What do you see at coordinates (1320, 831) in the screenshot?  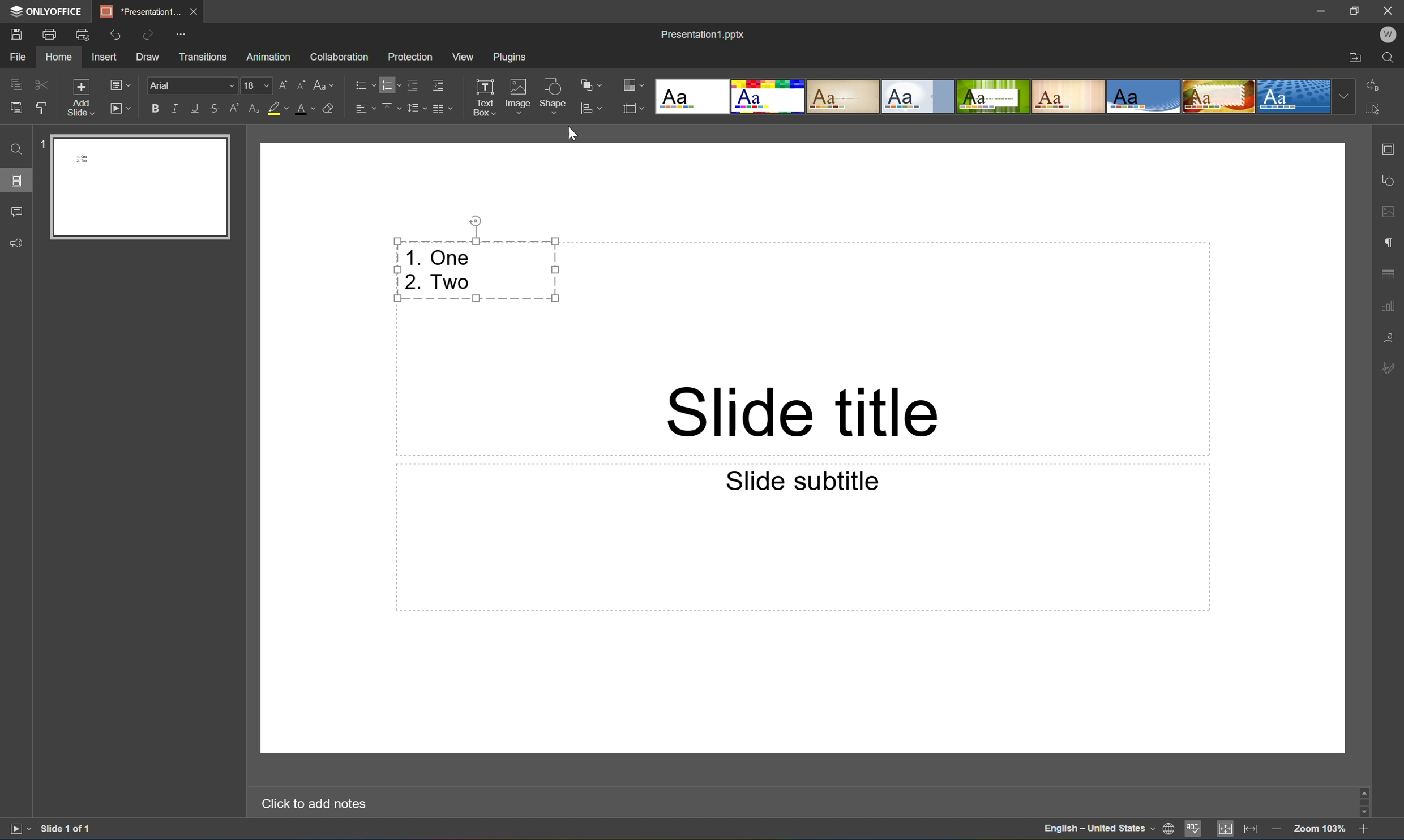 I see `Zoom 103%` at bounding box center [1320, 831].